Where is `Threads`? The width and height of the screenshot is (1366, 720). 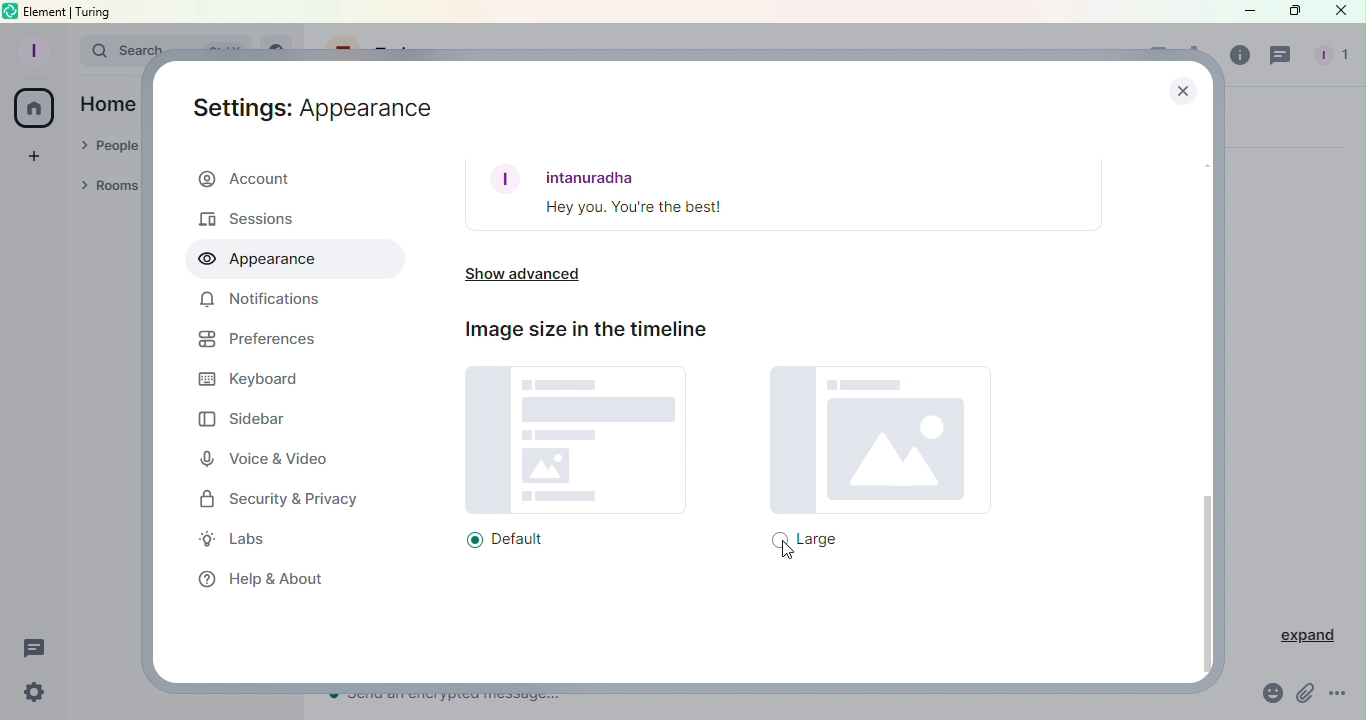 Threads is located at coordinates (1283, 56).